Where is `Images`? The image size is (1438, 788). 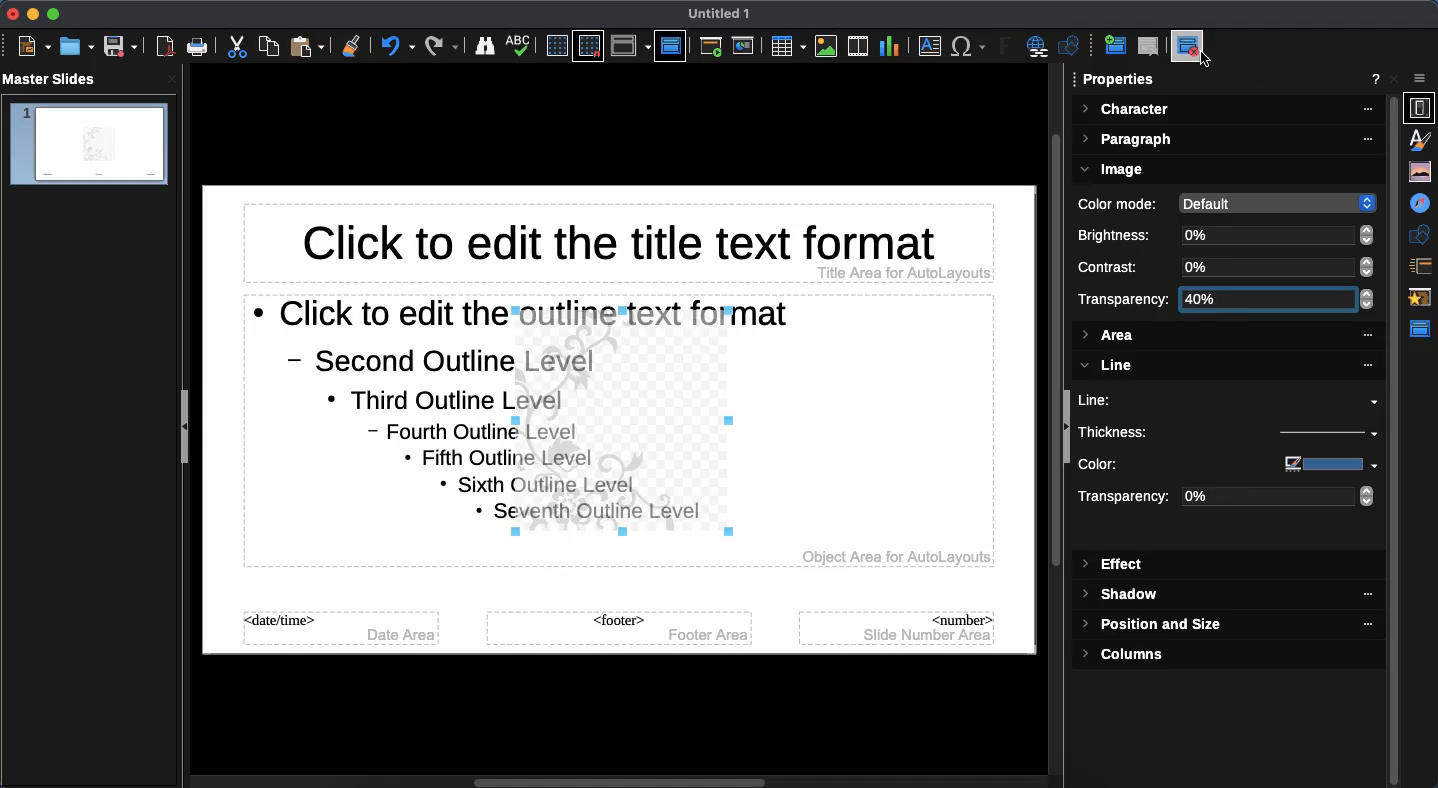
Images is located at coordinates (826, 46).